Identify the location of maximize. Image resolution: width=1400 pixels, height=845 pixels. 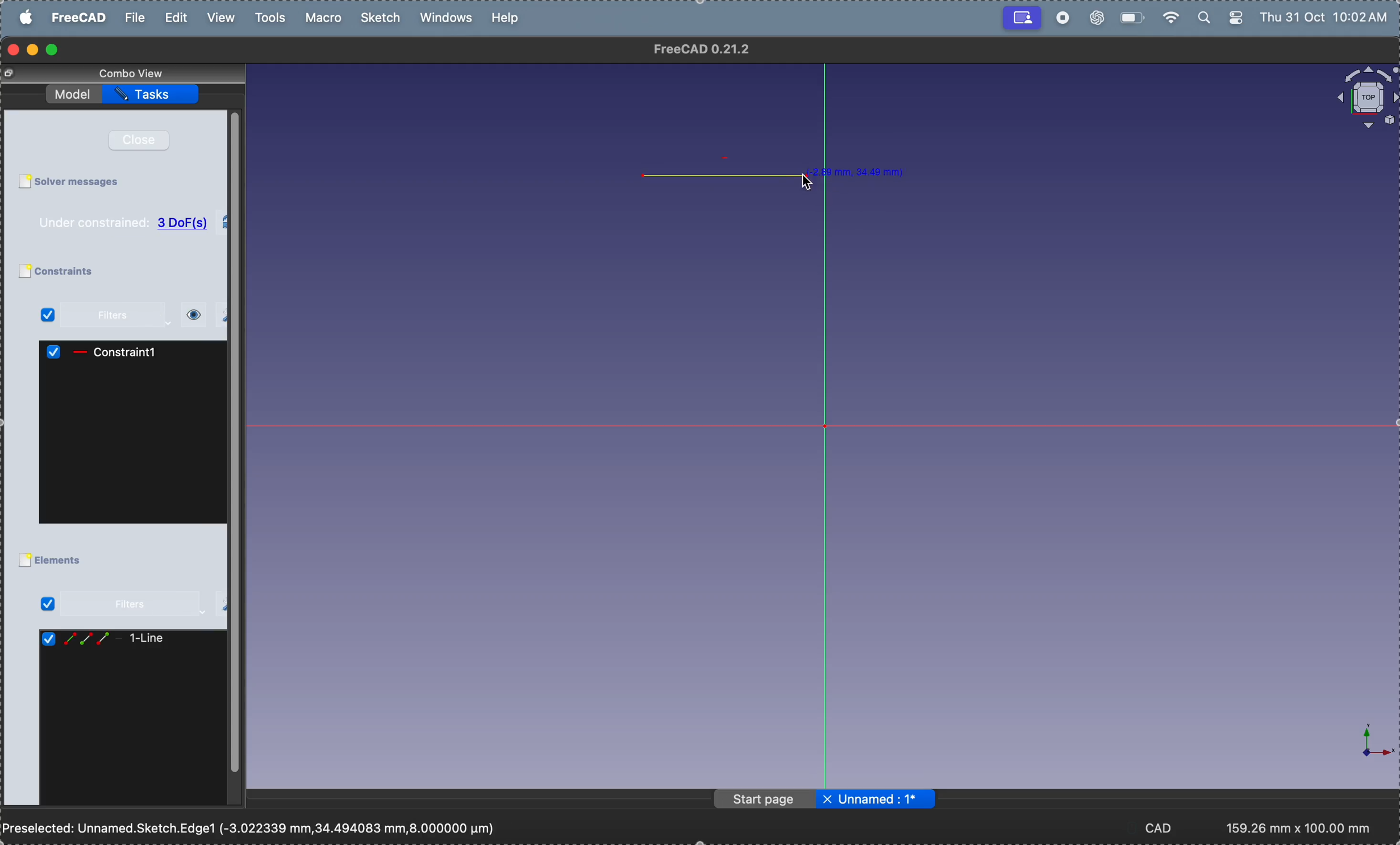
(53, 51).